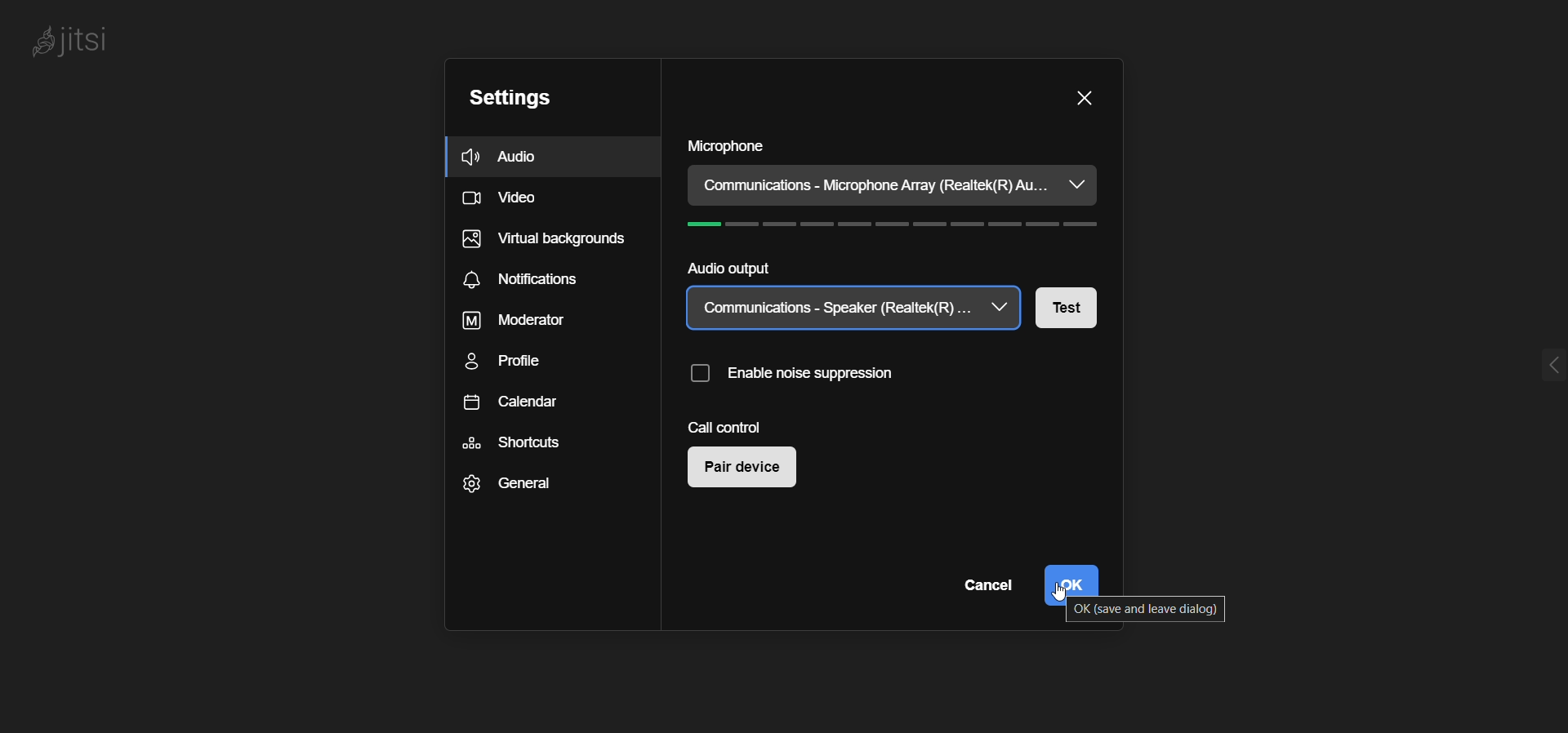 The height and width of the screenshot is (733, 1568). I want to click on settings, so click(508, 100).